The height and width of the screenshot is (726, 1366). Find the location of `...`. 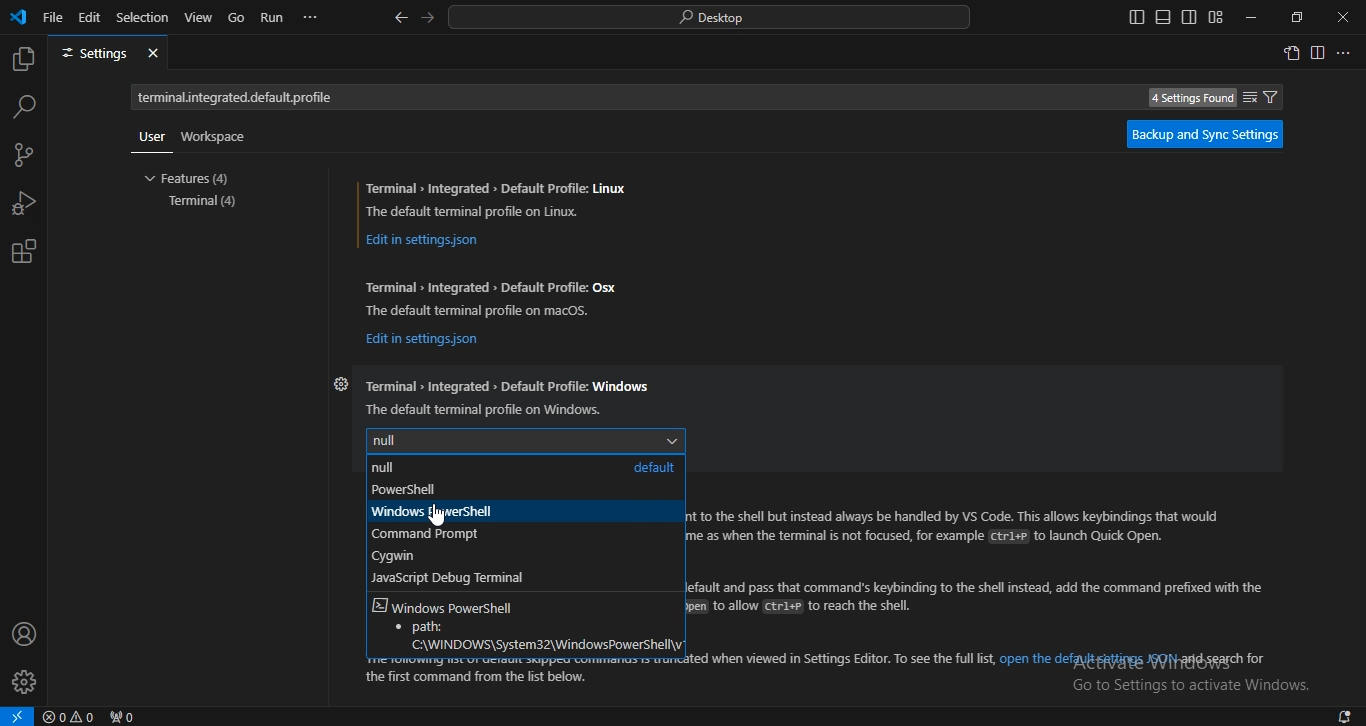

... is located at coordinates (1341, 51).